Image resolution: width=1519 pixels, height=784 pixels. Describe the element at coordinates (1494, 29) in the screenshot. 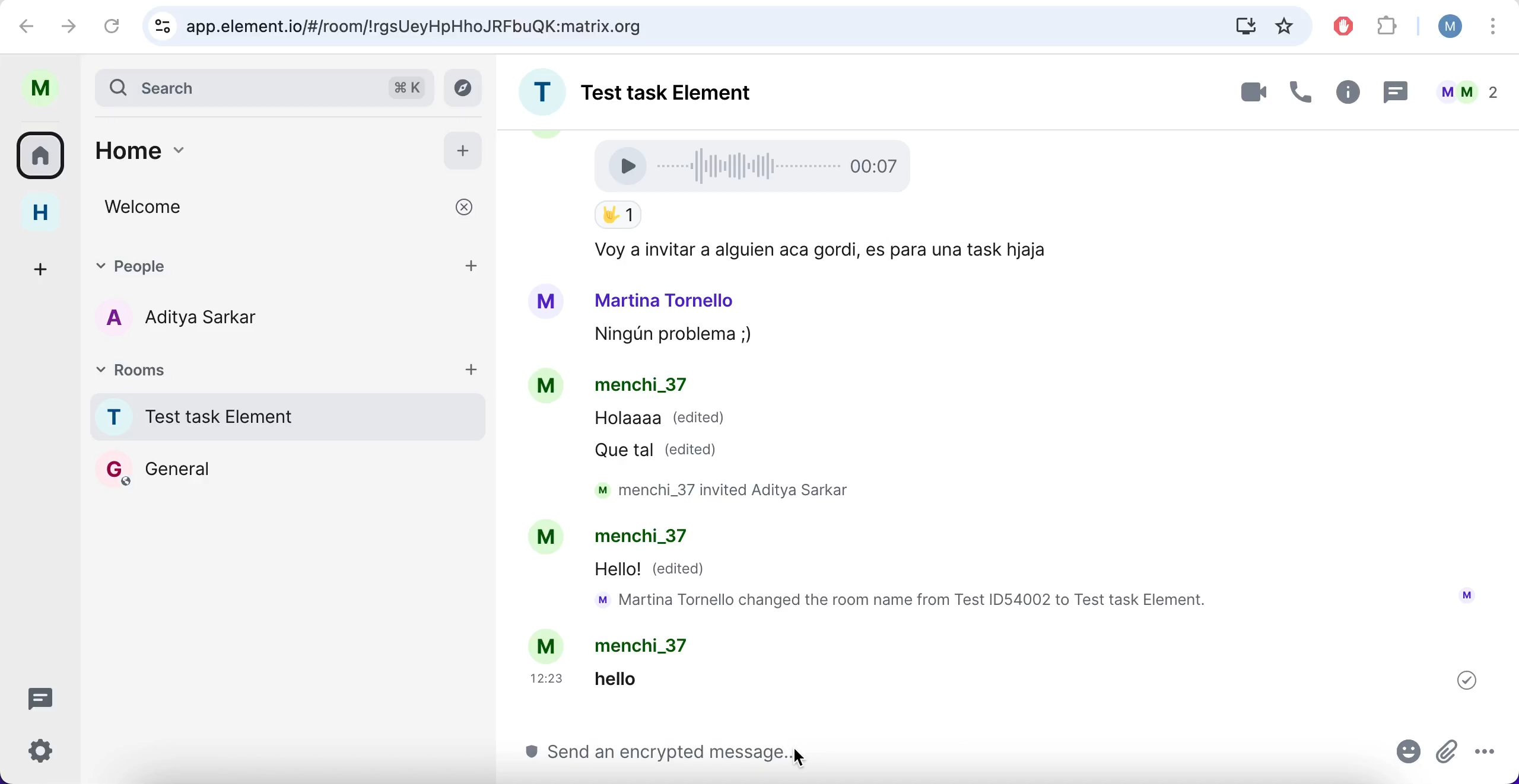

I see `more options` at that location.